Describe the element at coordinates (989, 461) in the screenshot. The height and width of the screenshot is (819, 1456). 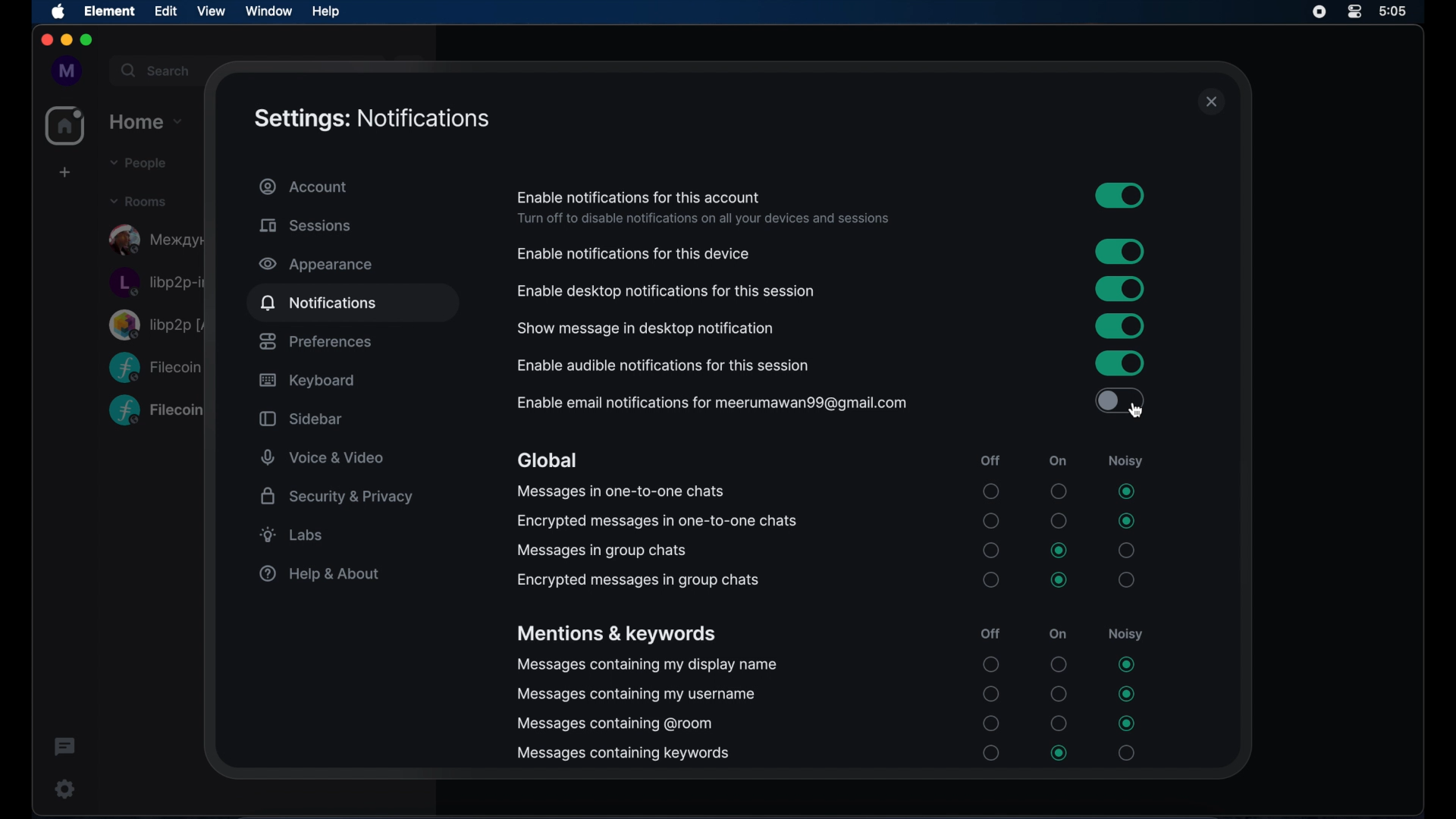
I see `off` at that location.